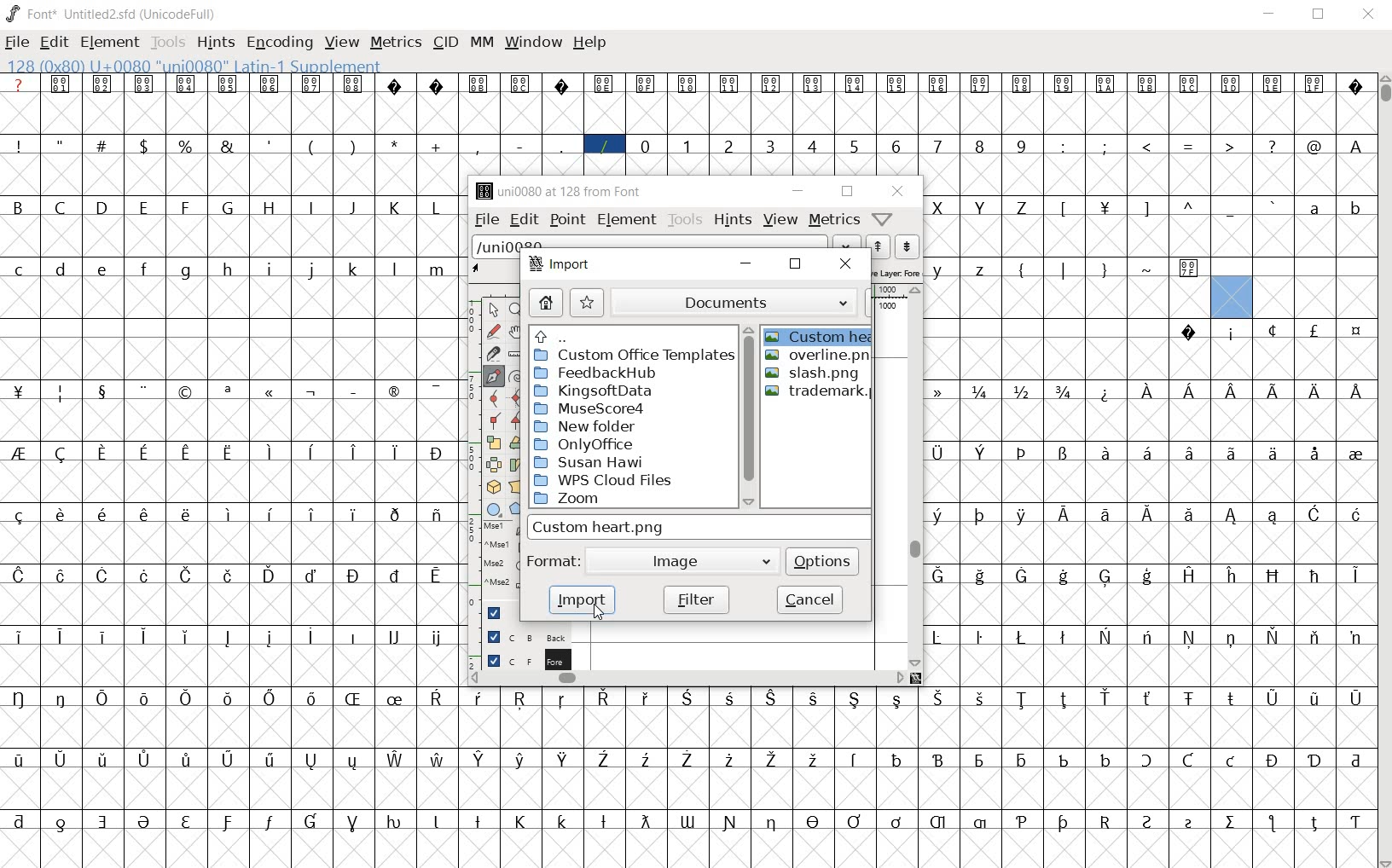 The image size is (1392, 868). I want to click on glyph, so click(271, 453).